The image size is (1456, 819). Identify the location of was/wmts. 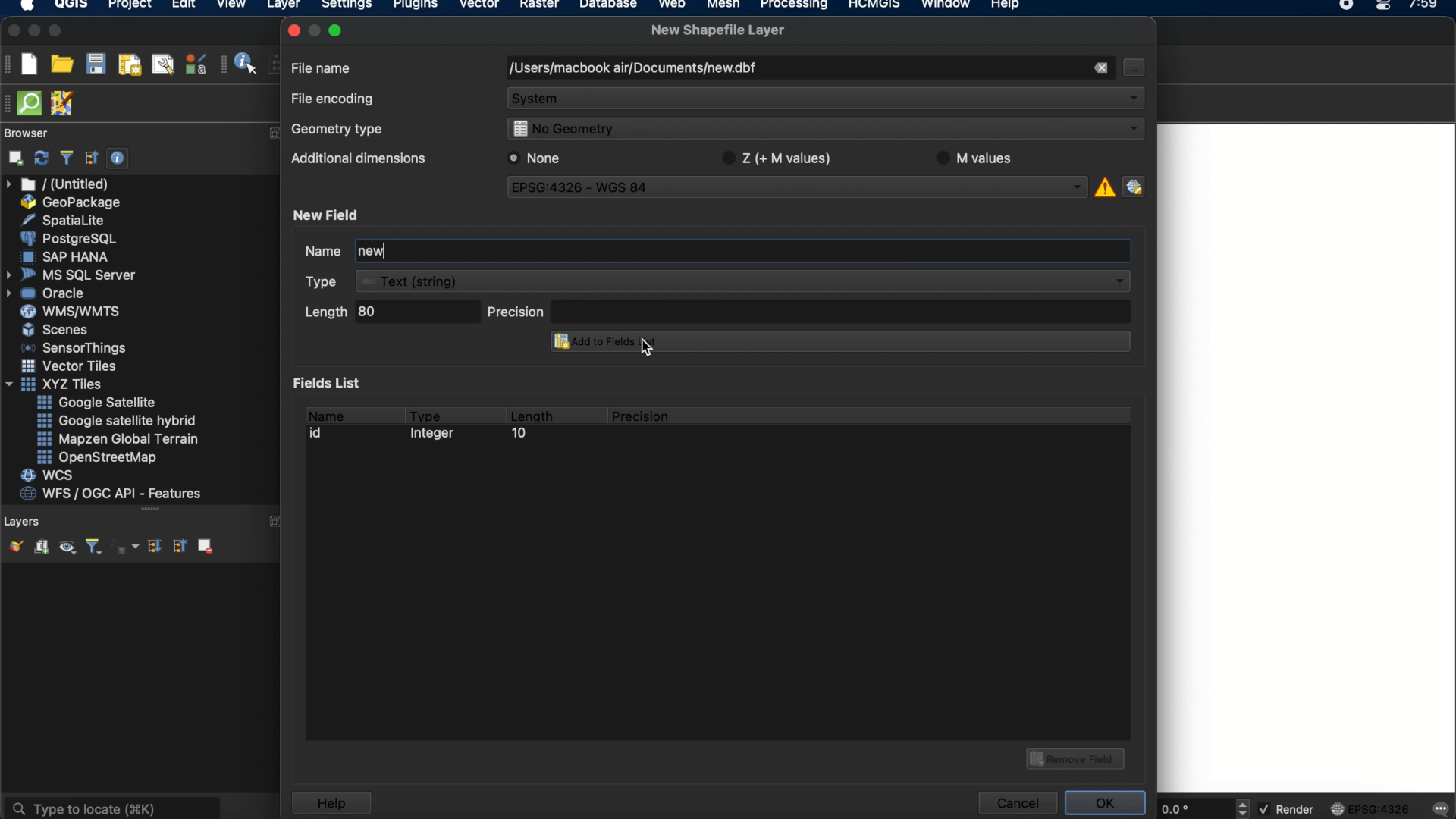
(72, 312).